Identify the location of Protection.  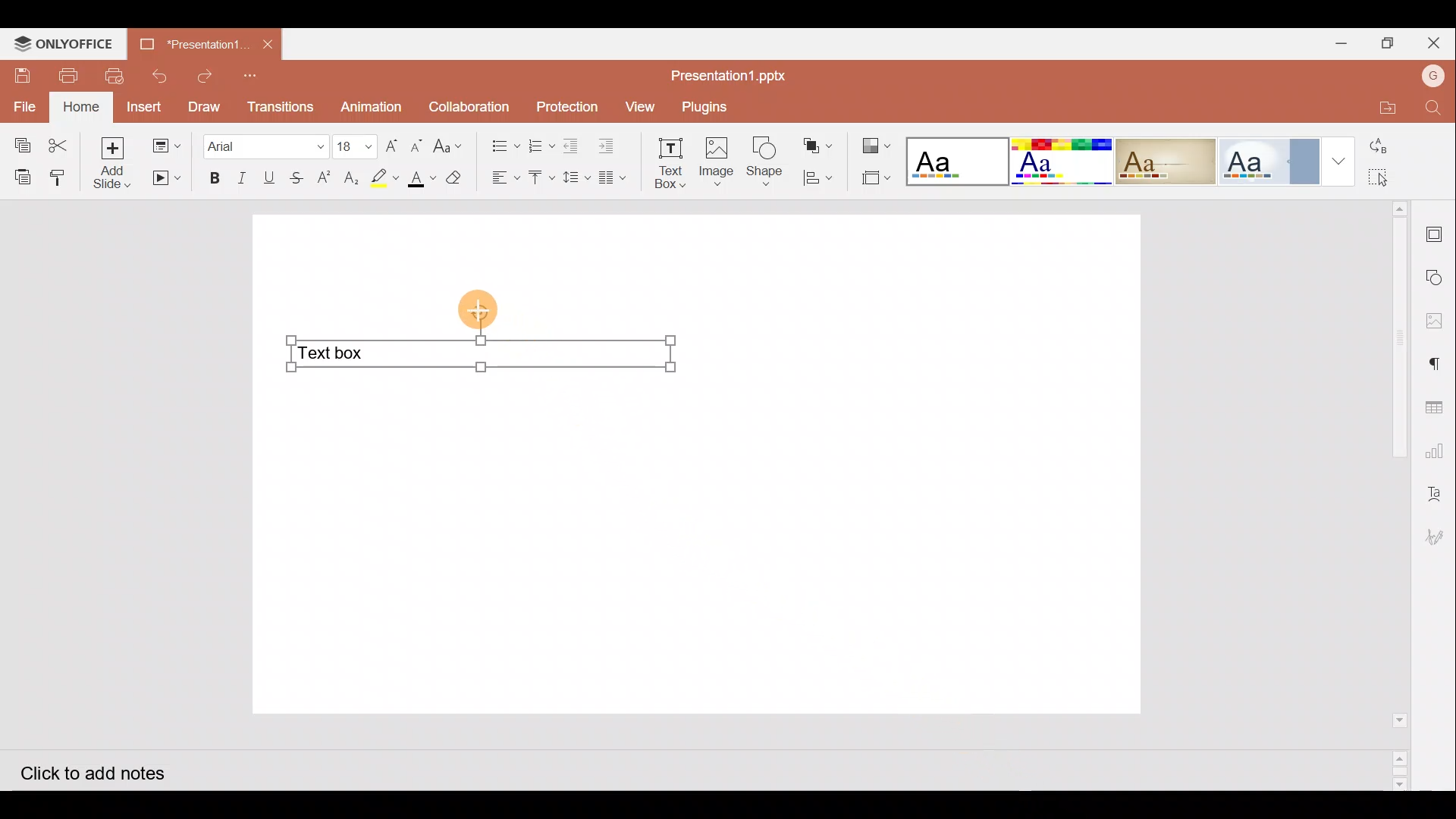
(566, 108).